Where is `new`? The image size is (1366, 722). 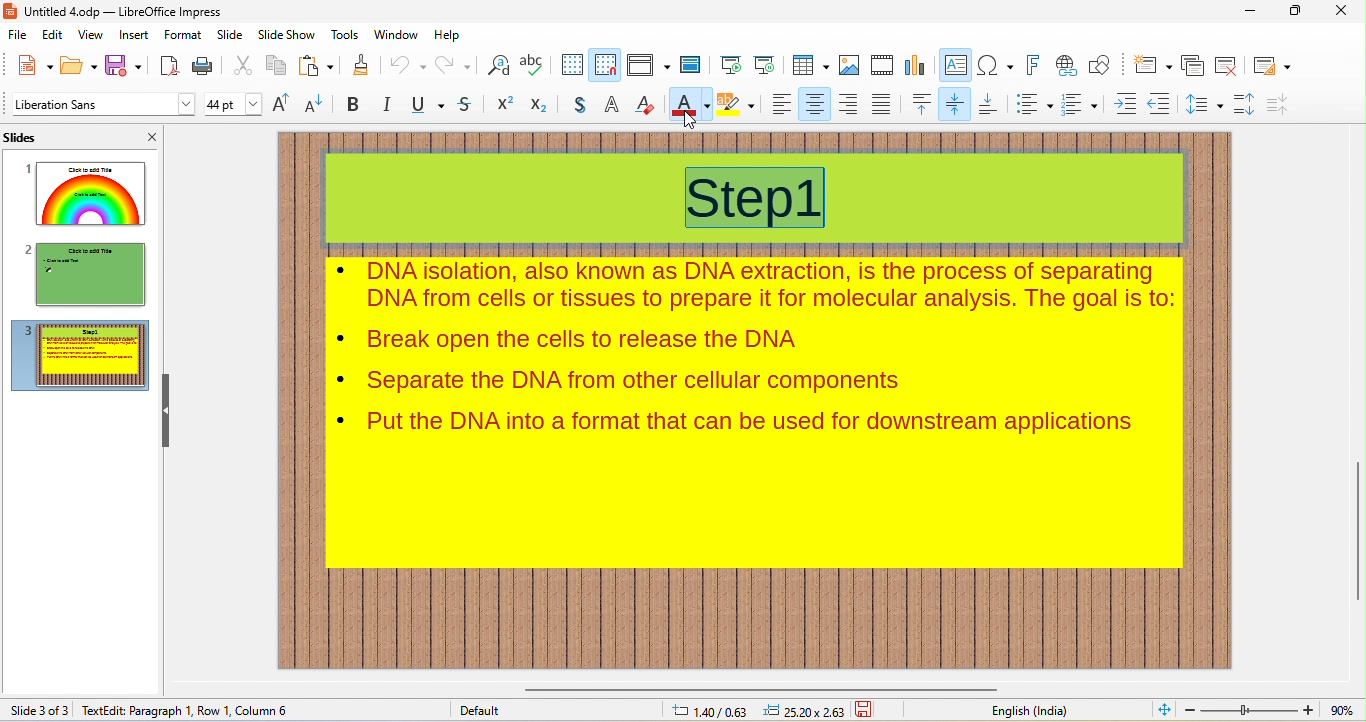
new is located at coordinates (33, 64).